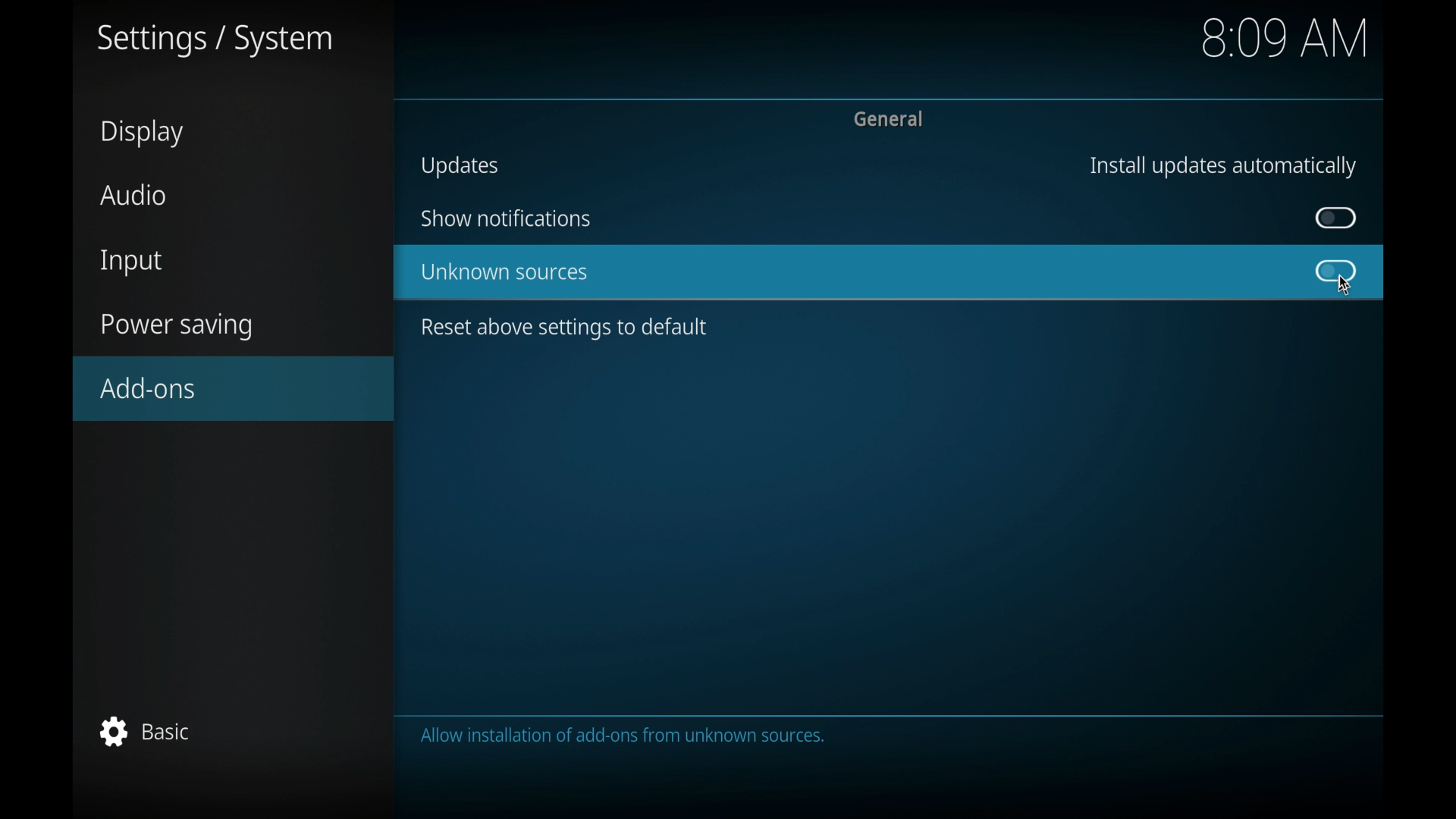  What do you see at coordinates (133, 263) in the screenshot?
I see `input` at bounding box center [133, 263].